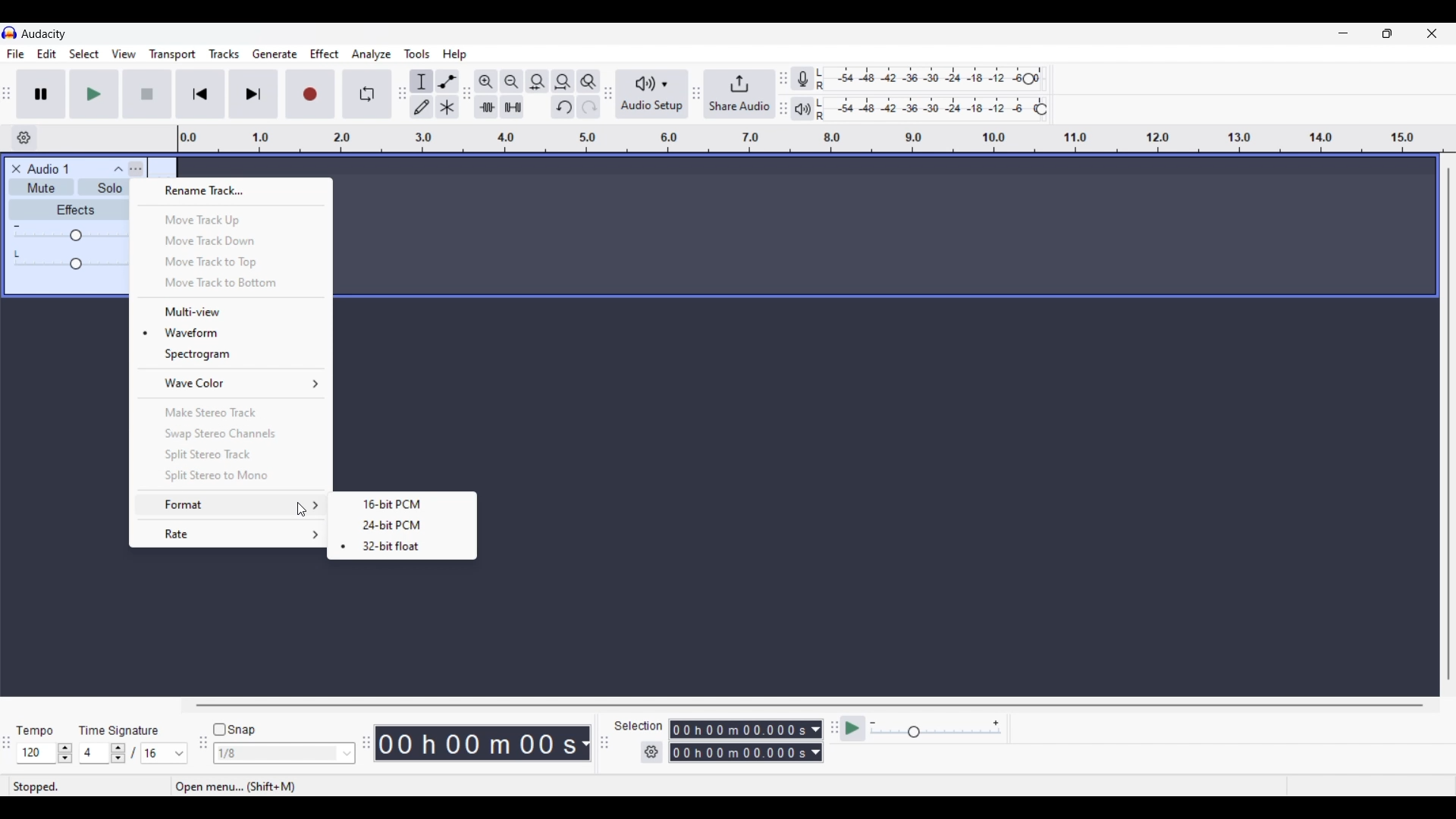  Describe the element at coordinates (34, 730) in the screenshot. I see `Tempo` at that location.